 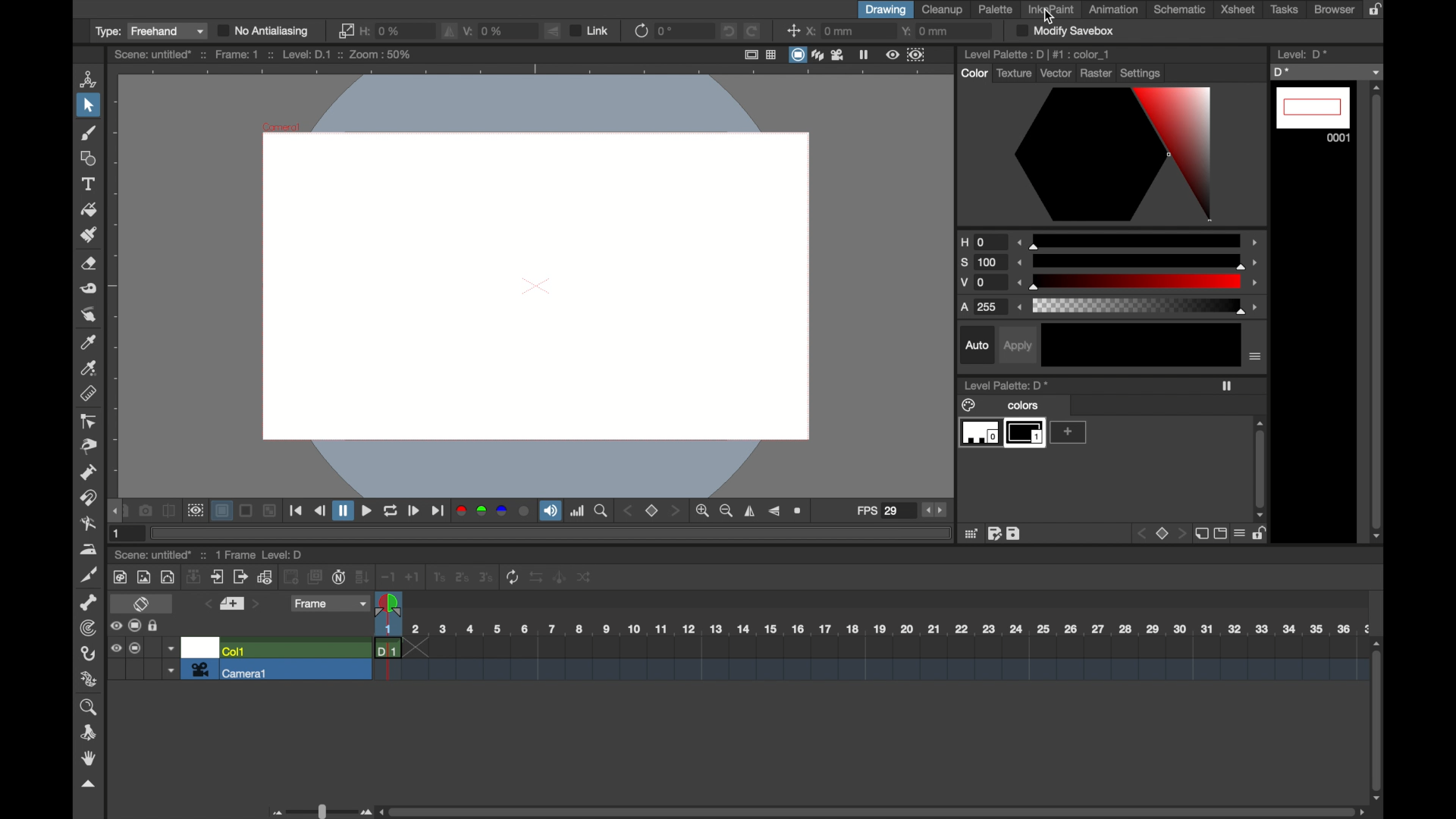 I want to click on stop, so click(x=652, y=511).